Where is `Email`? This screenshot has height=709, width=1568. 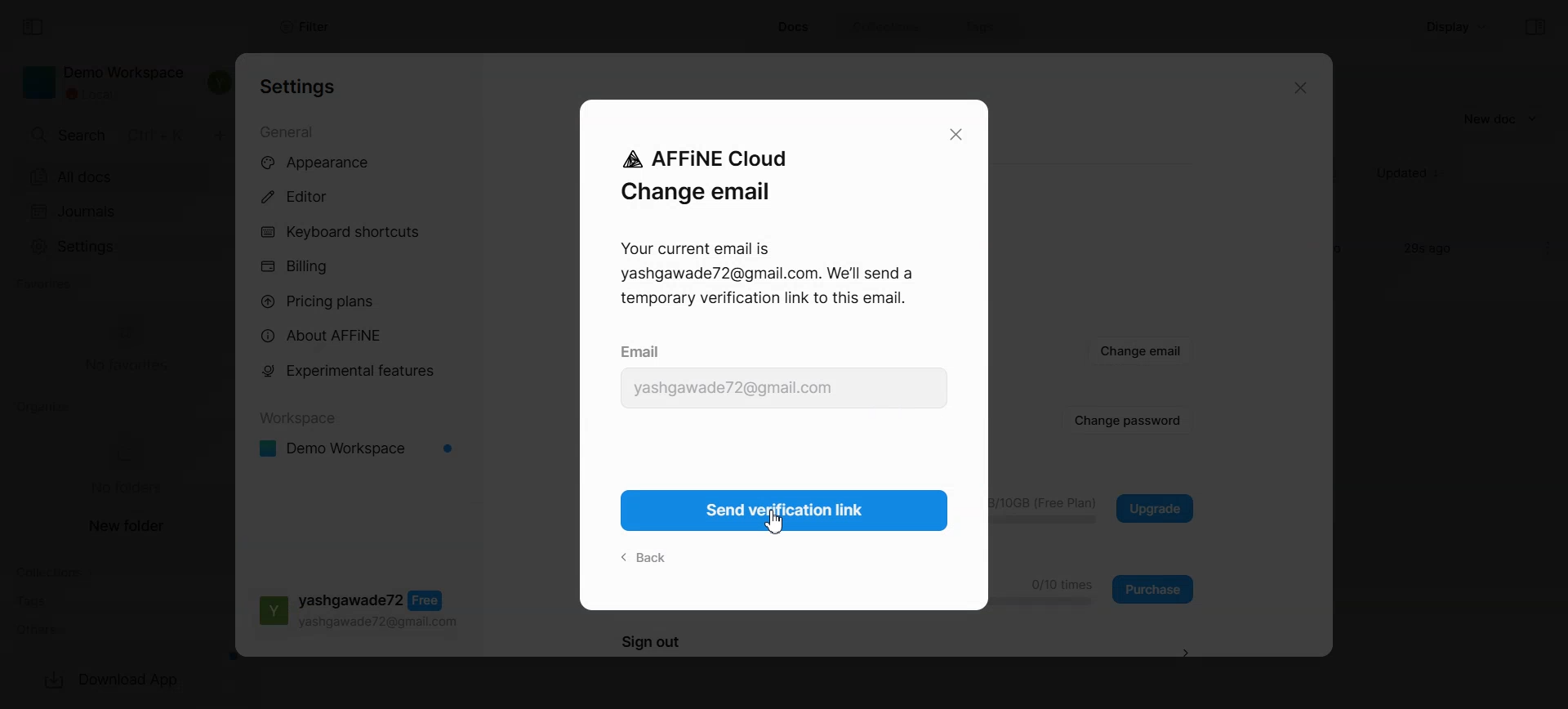
Email is located at coordinates (783, 389).